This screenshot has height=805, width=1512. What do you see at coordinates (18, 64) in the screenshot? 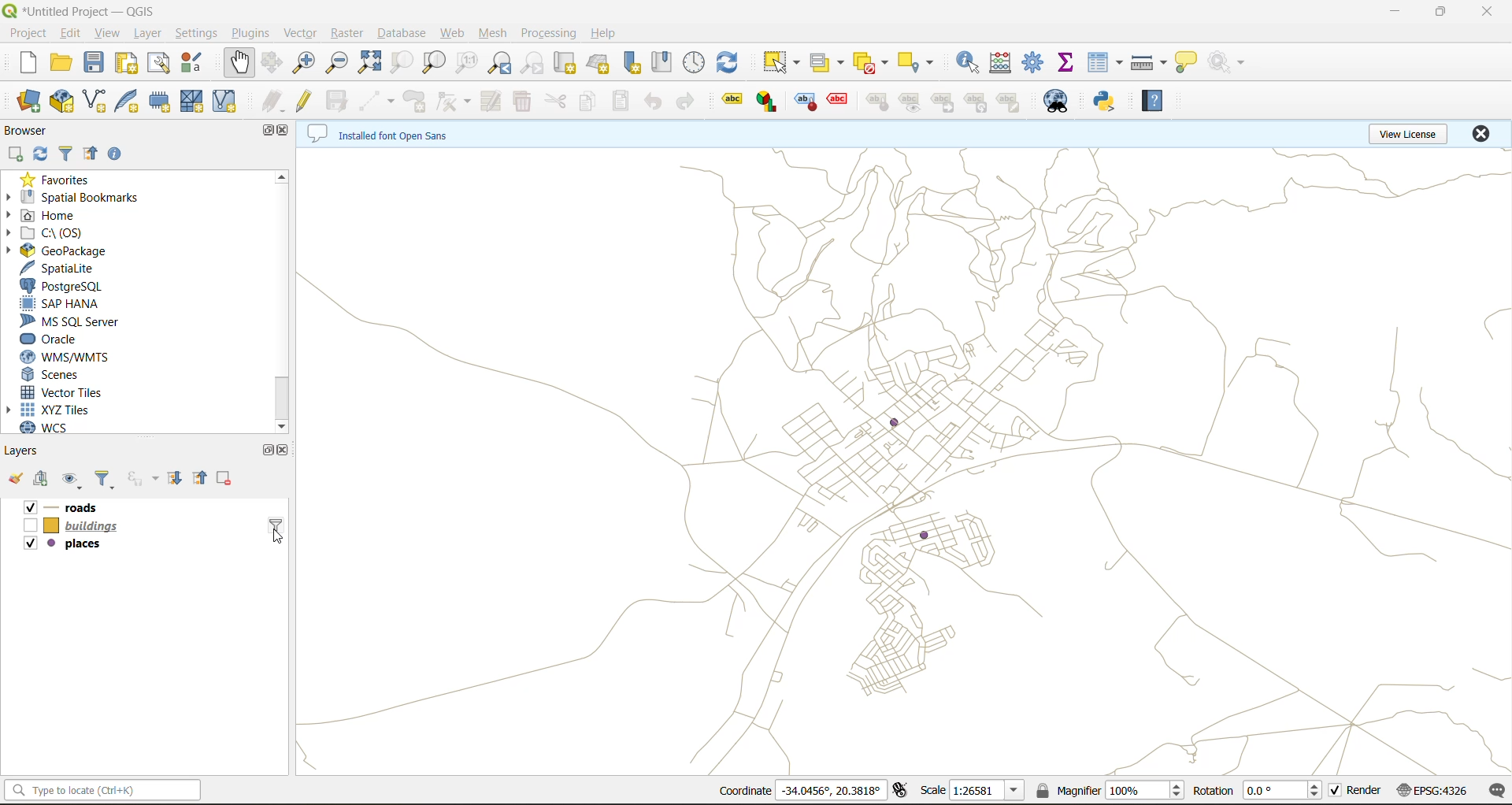
I see `new` at bounding box center [18, 64].